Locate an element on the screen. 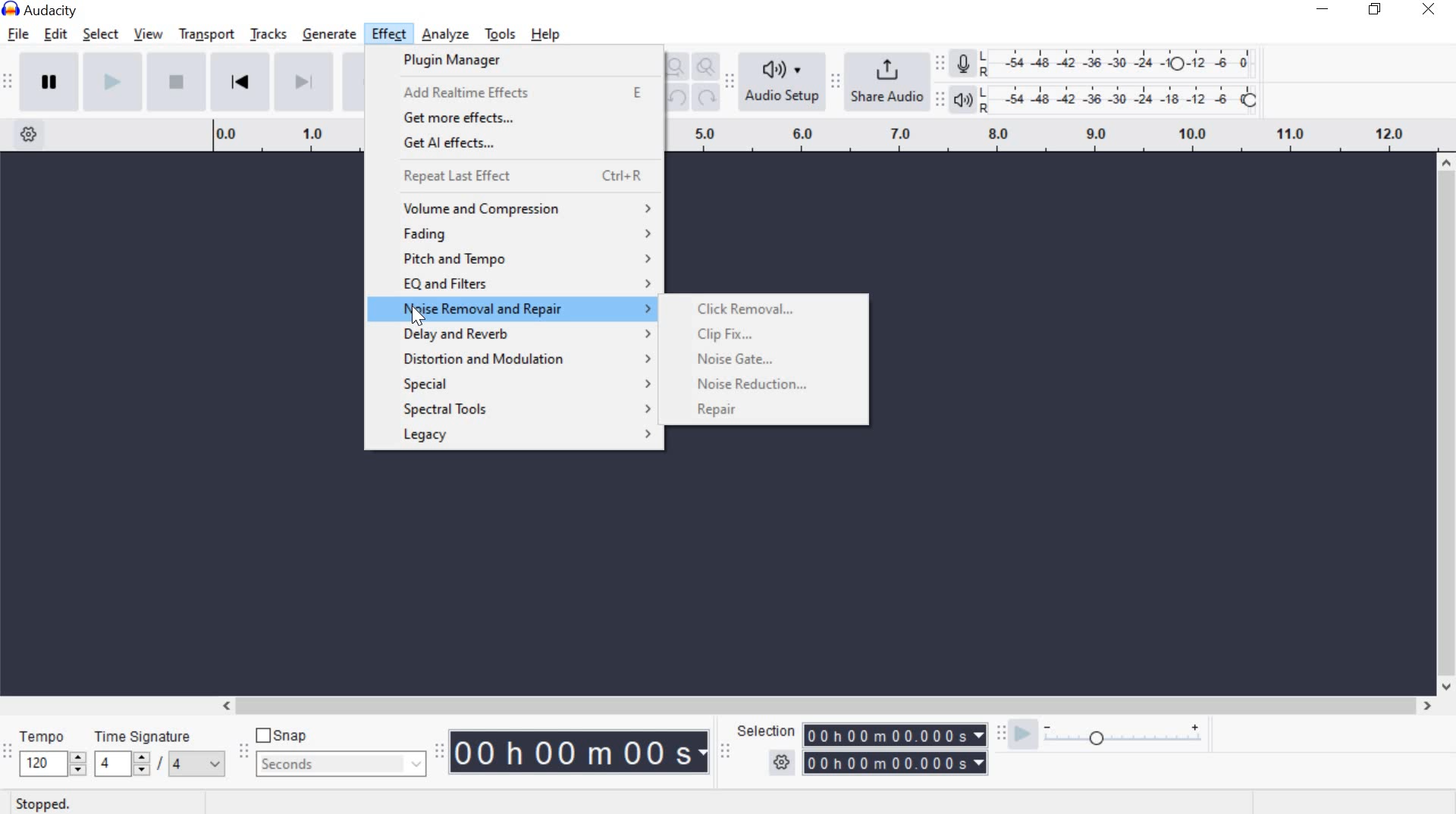  close is located at coordinates (1432, 11).